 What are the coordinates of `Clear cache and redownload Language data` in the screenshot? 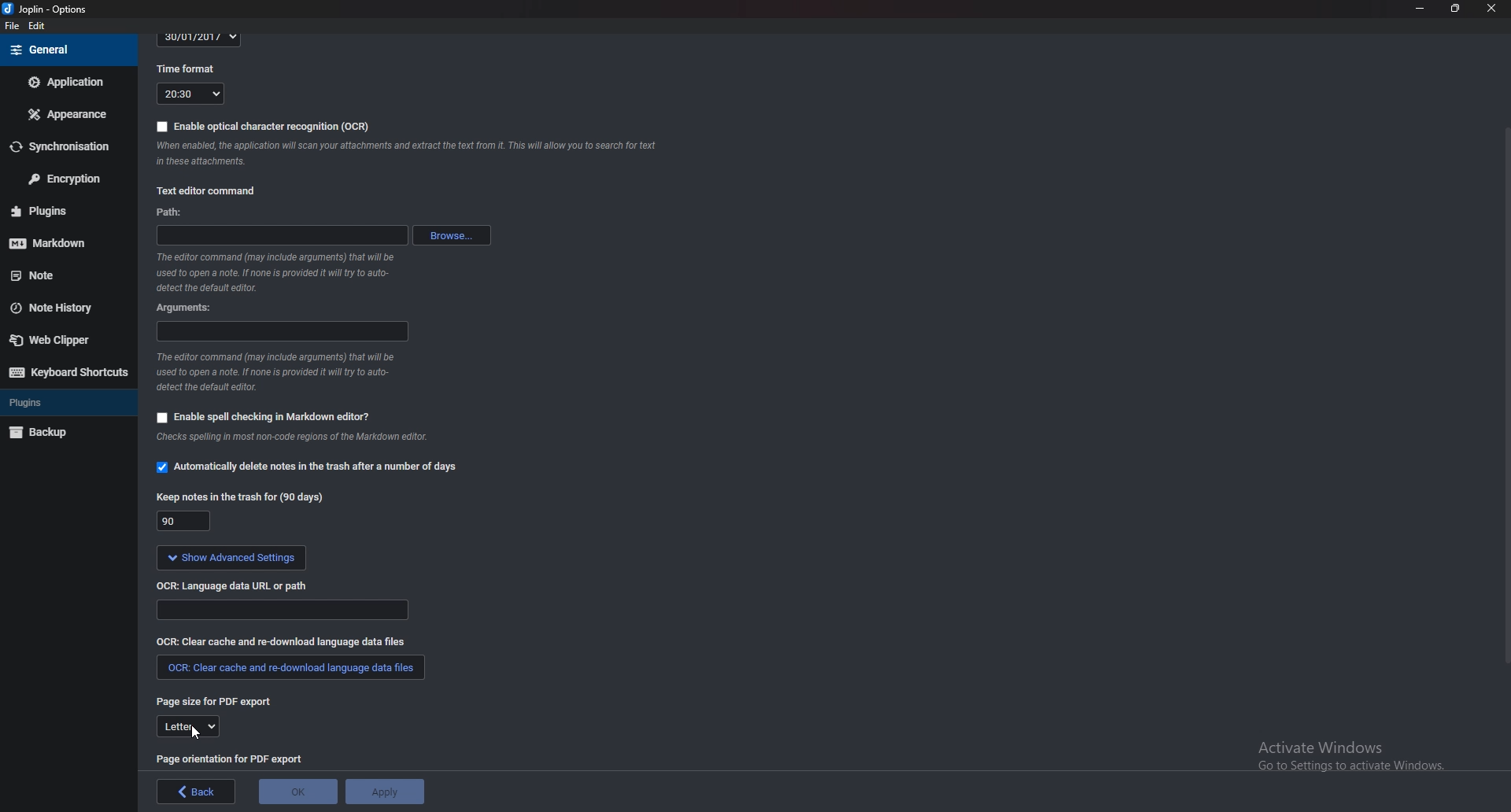 It's located at (286, 640).